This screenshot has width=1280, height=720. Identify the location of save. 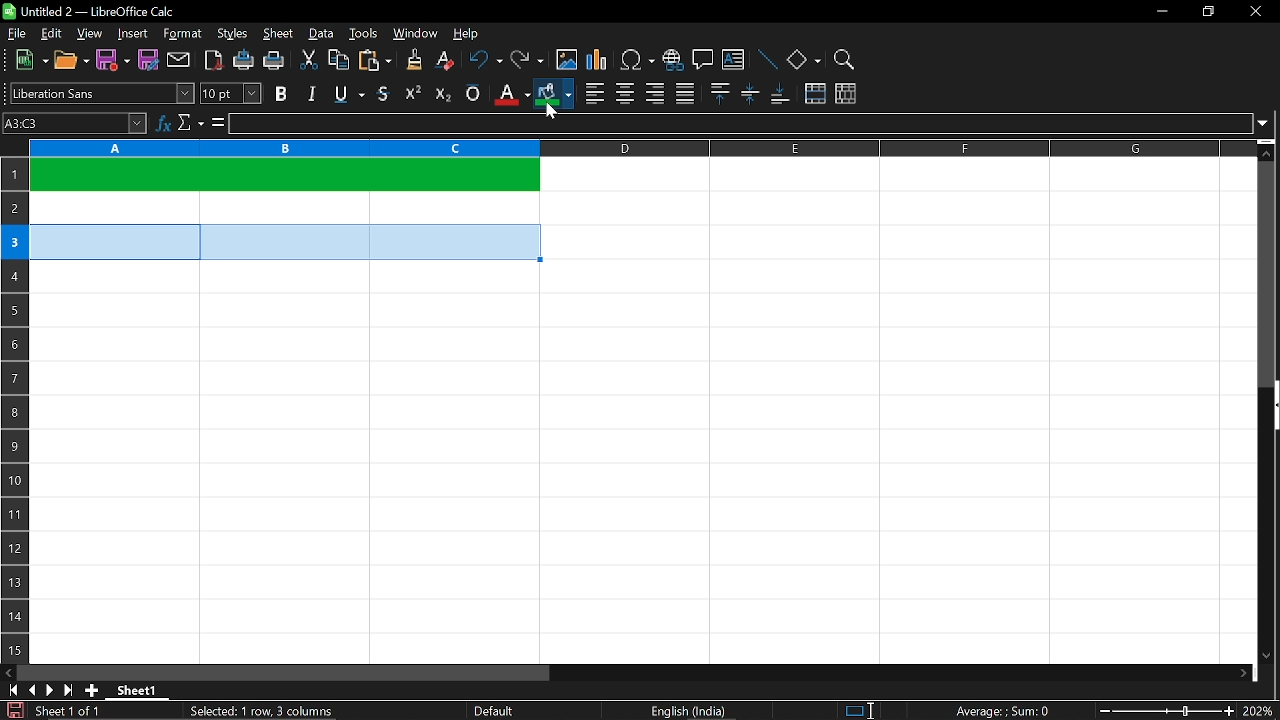
(113, 61).